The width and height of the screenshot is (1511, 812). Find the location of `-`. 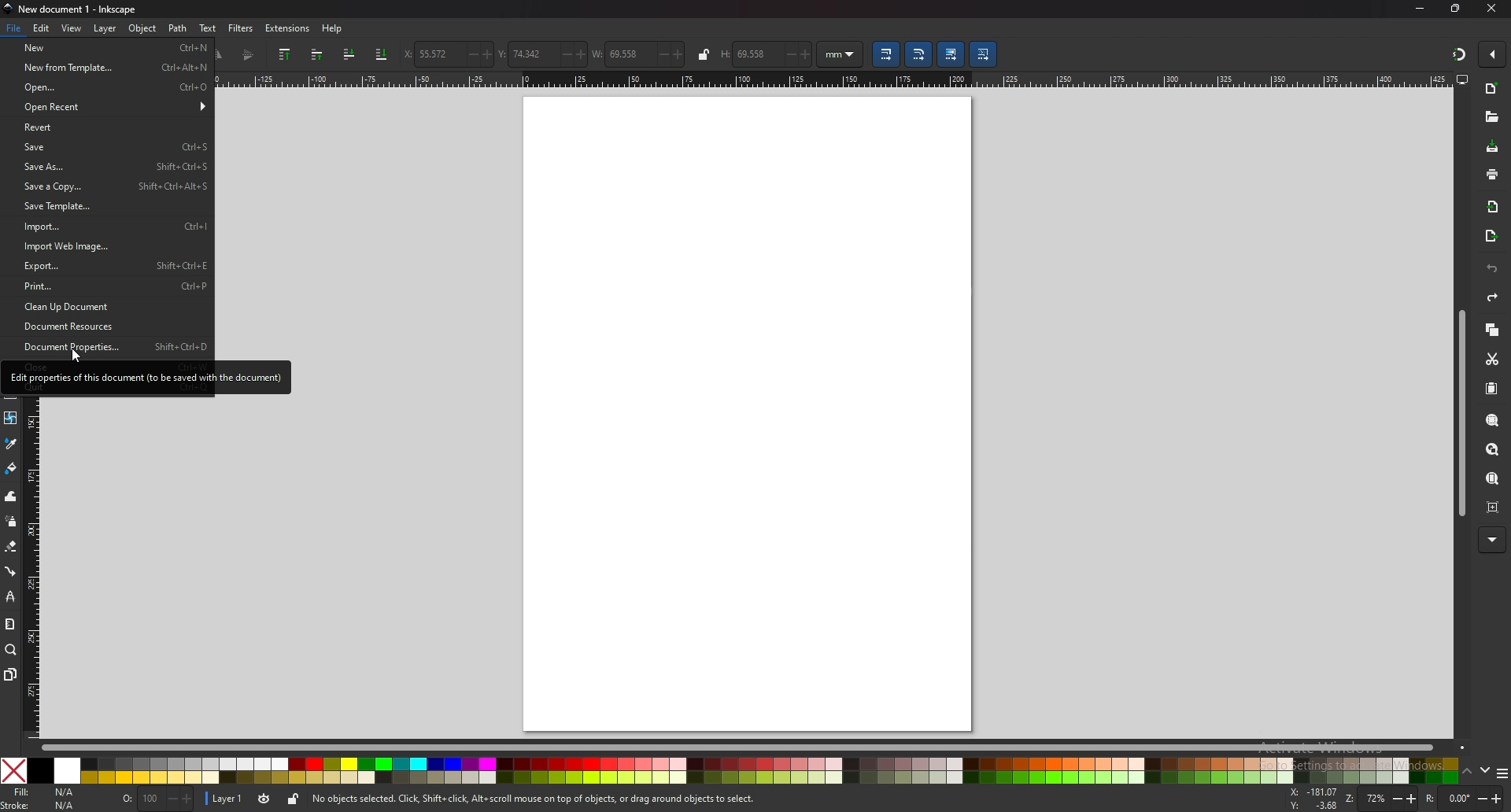

- is located at coordinates (557, 54).